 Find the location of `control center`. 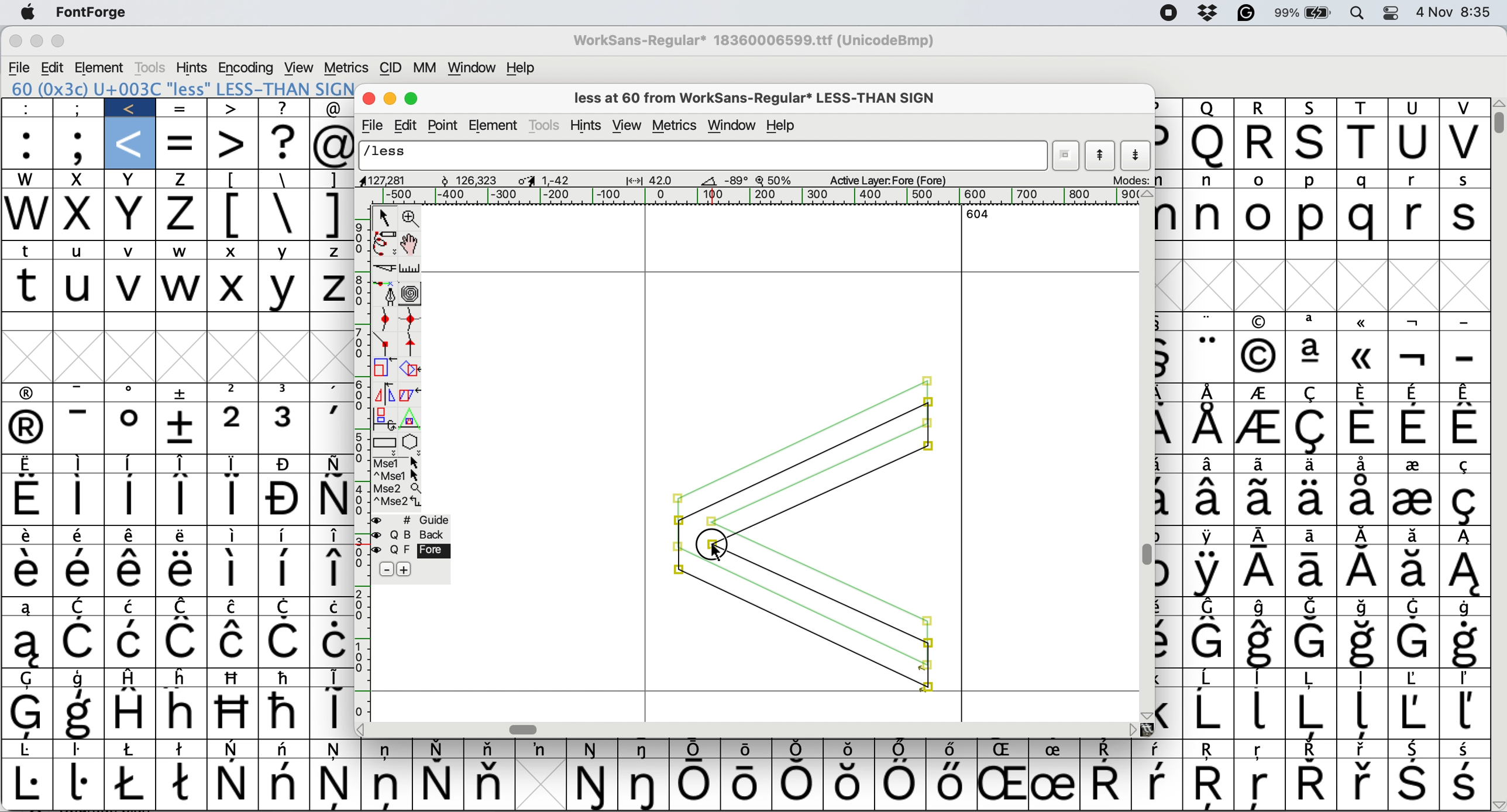

control center is located at coordinates (1395, 13).